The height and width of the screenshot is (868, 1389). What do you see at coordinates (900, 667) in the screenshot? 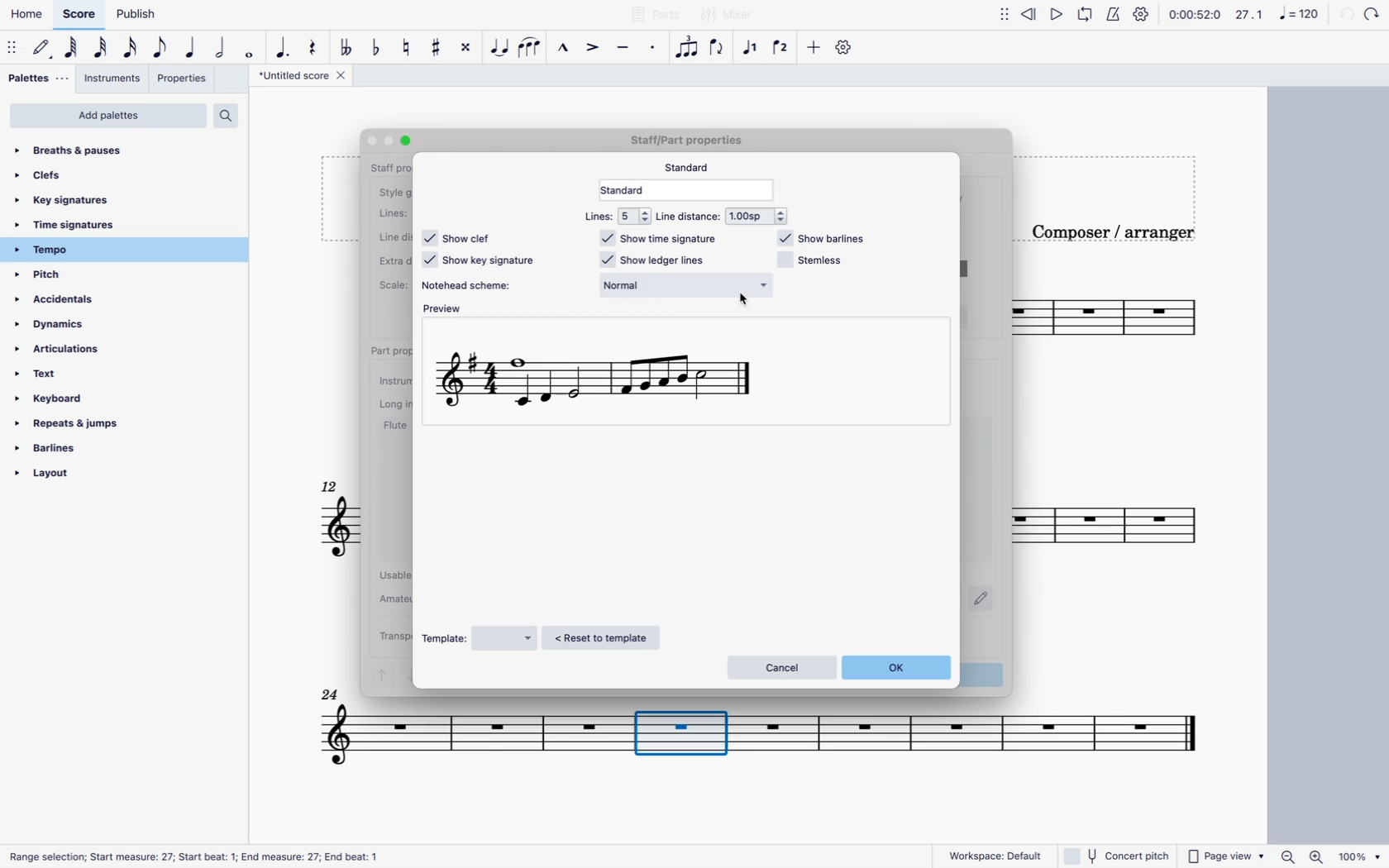
I see `ok` at bounding box center [900, 667].